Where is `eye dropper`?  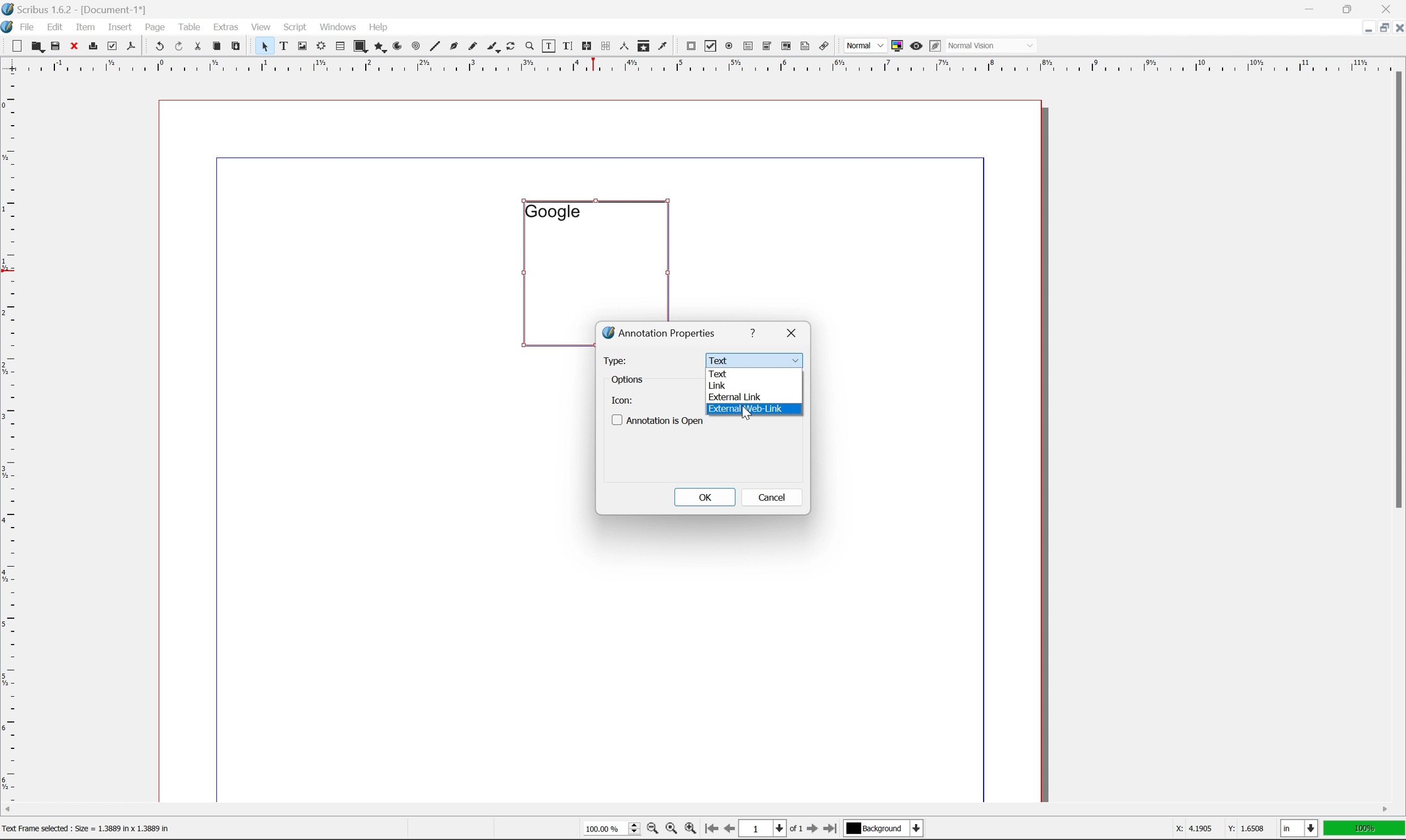
eye dropper is located at coordinates (663, 45).